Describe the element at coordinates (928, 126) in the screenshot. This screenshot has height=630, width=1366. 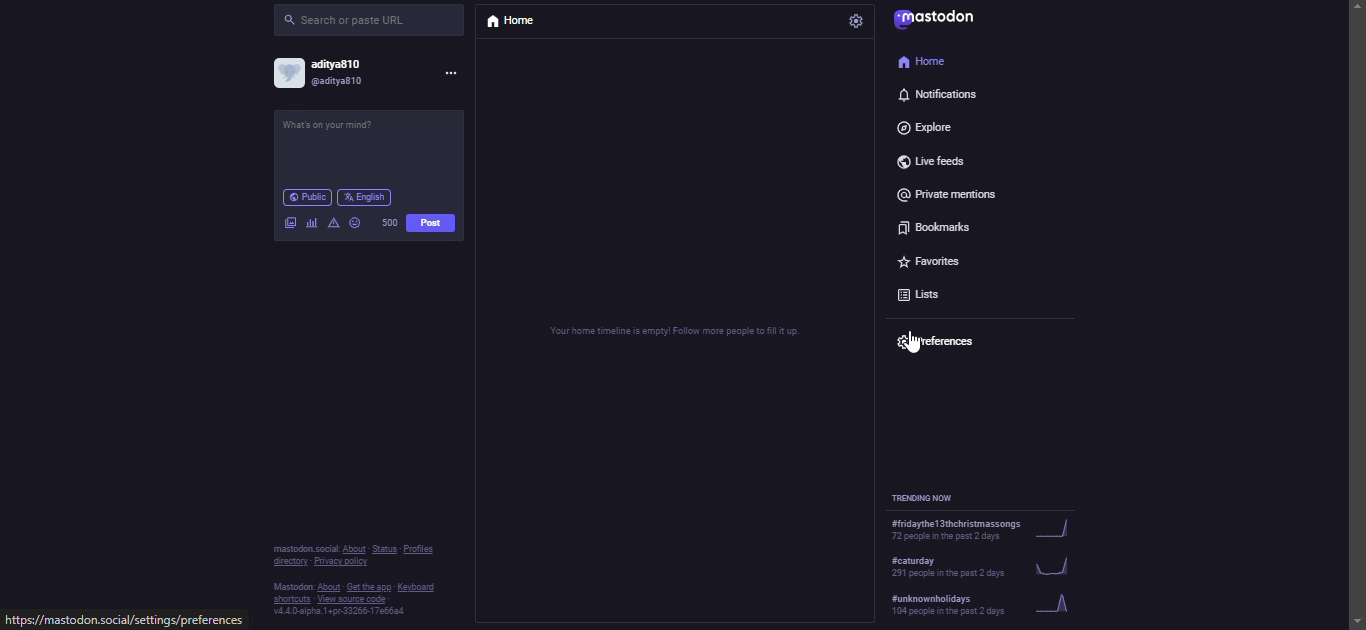
I see `explore` at that location.